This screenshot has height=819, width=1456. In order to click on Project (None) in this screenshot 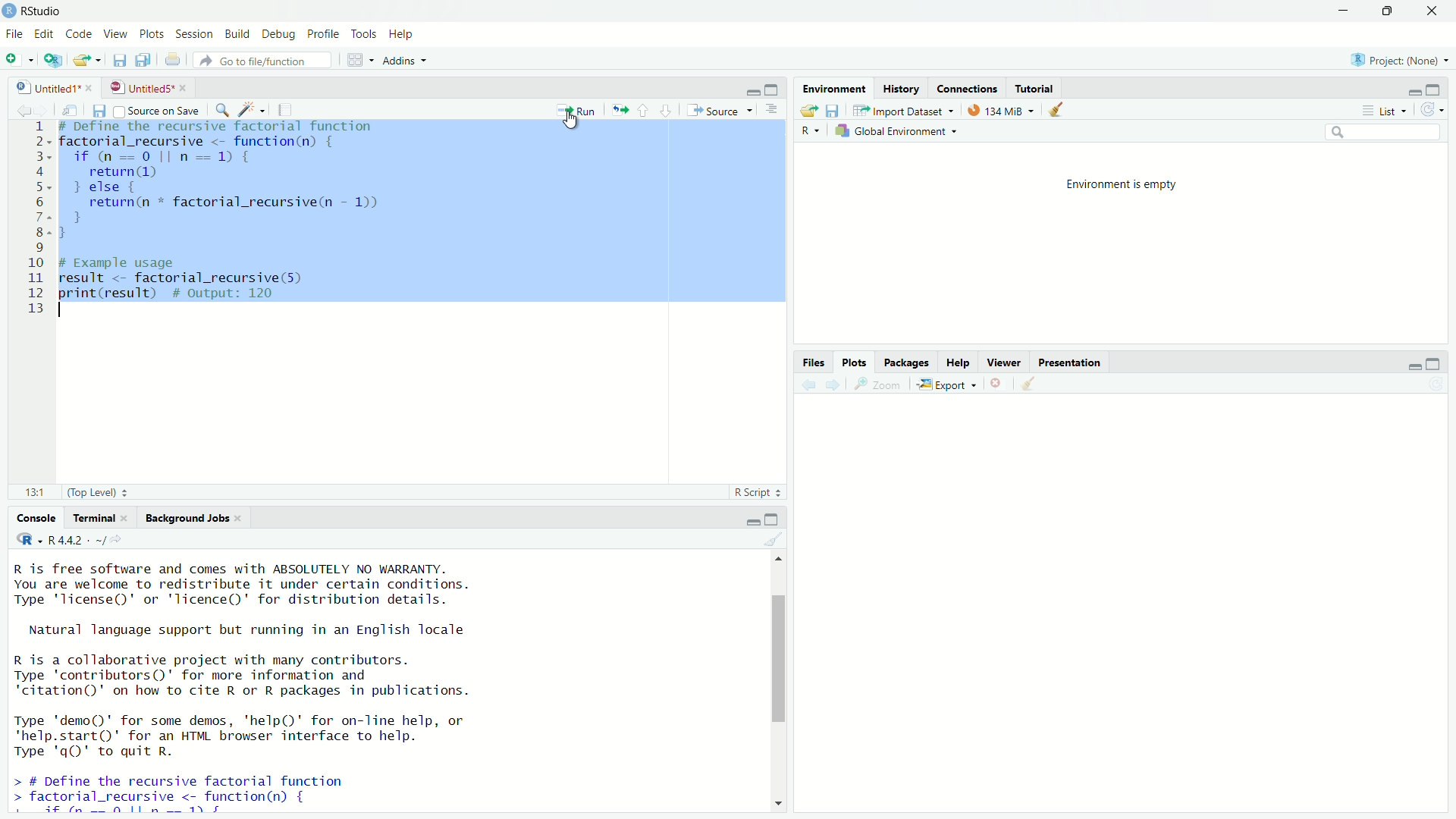, I will do `click(1398, 61)`.